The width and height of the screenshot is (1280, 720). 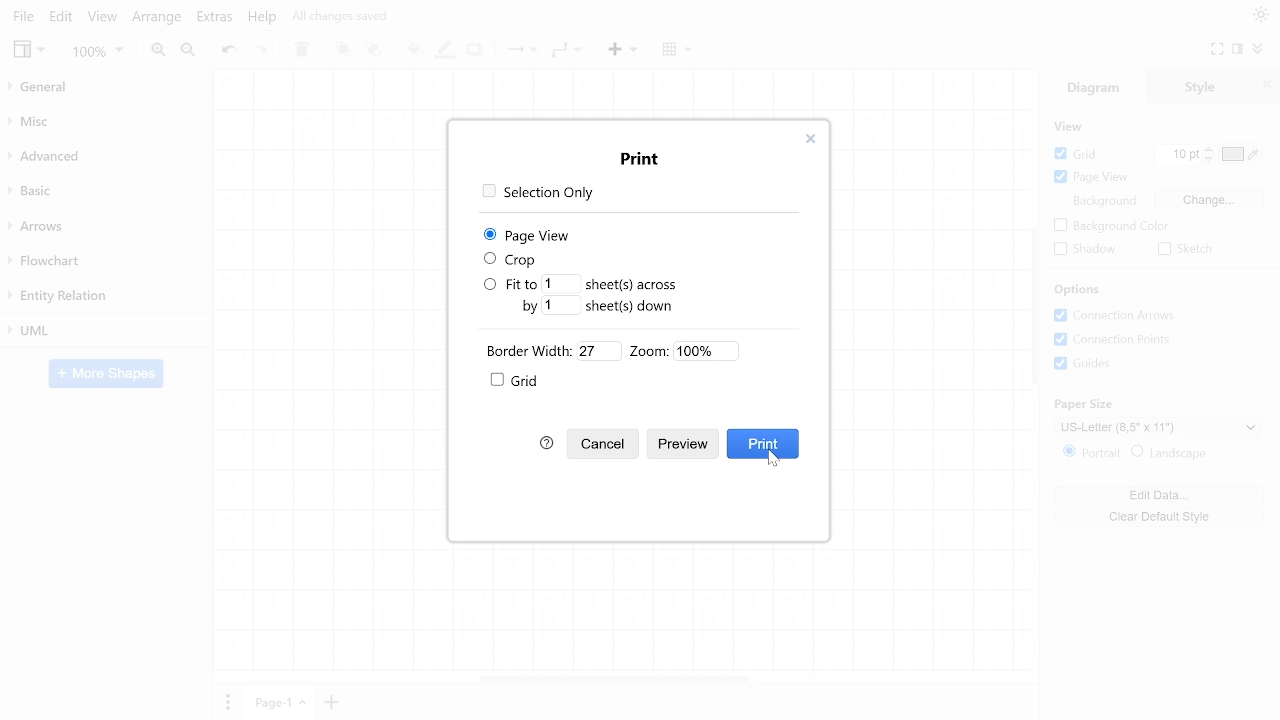 I want to click on Diagram, so click(x=1090, y=86).